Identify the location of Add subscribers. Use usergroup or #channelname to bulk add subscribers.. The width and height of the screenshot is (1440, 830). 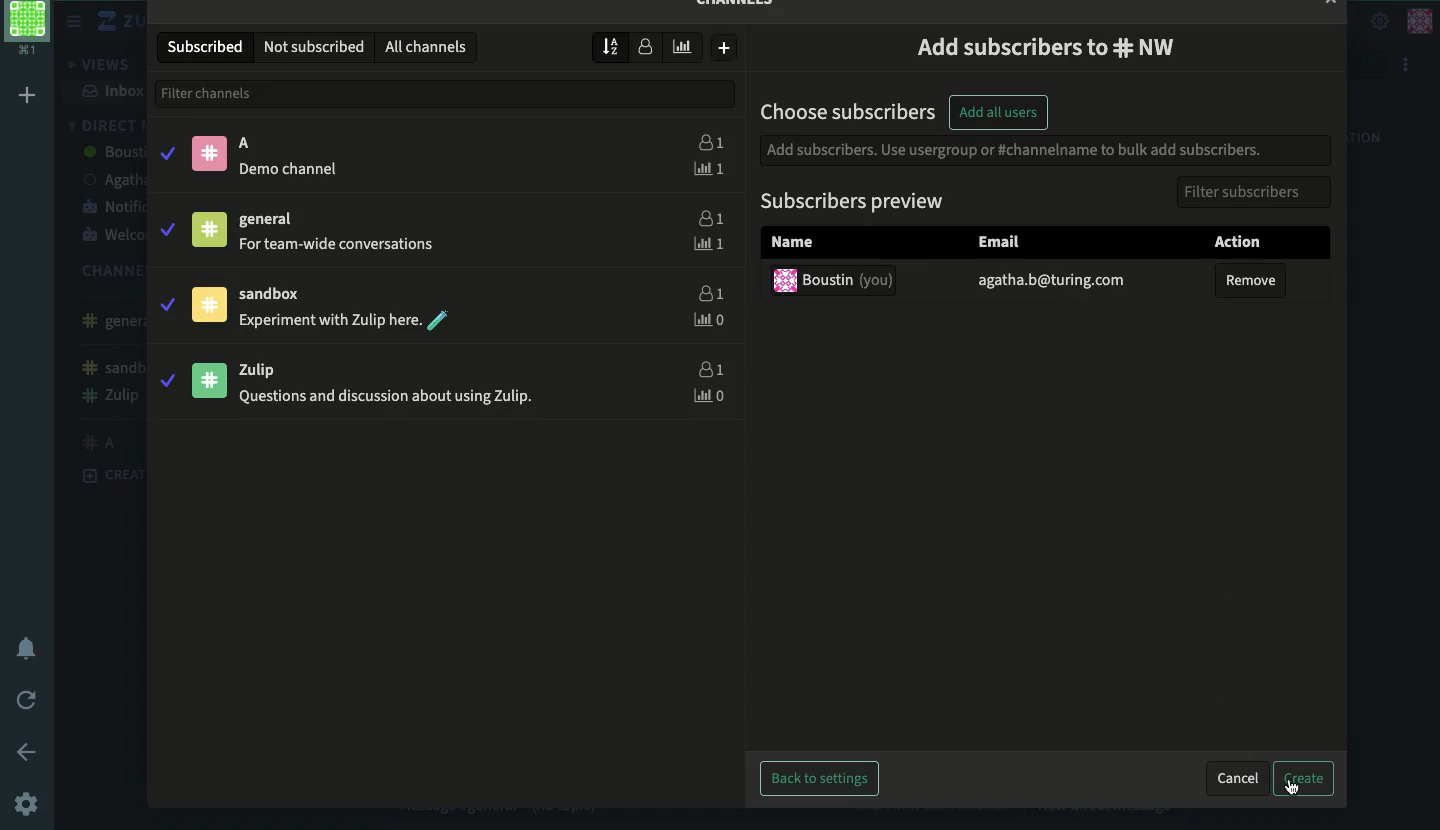
(1019, 152).